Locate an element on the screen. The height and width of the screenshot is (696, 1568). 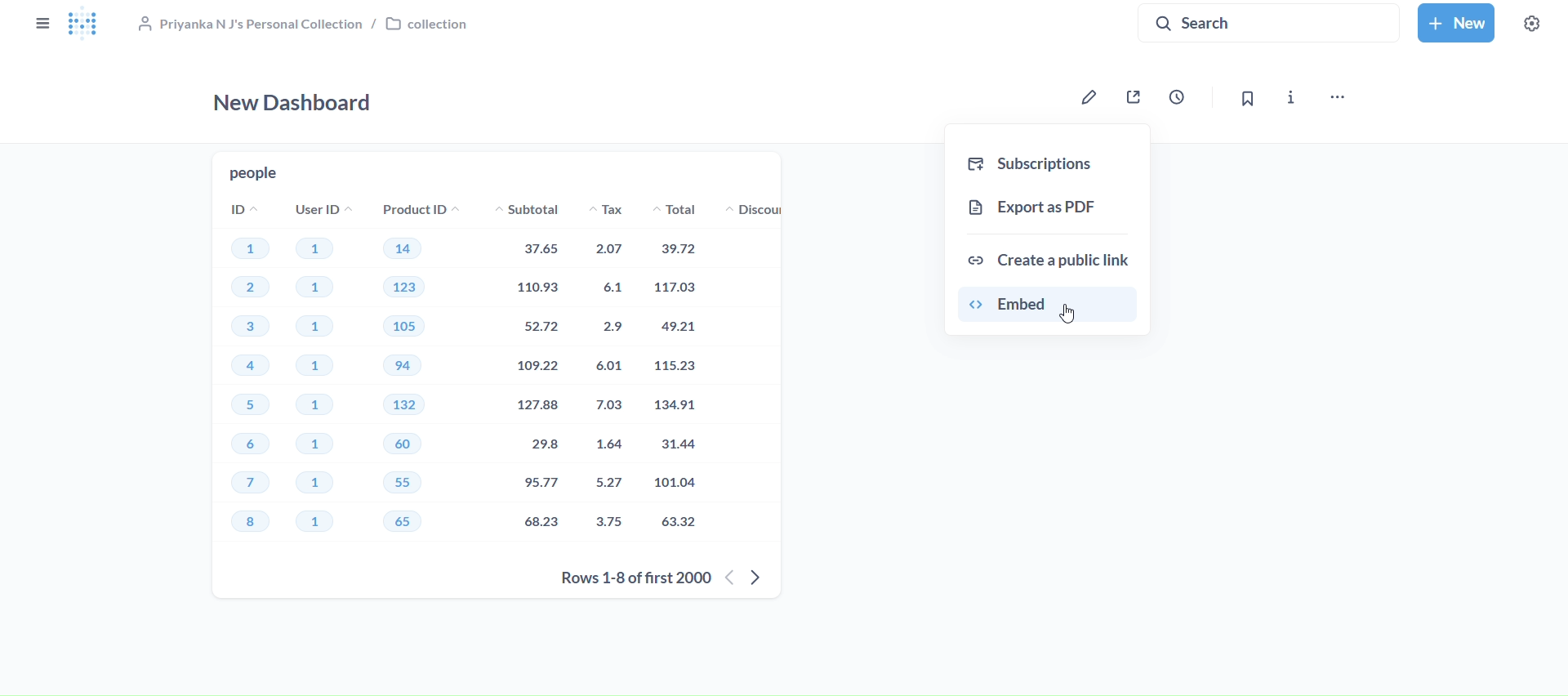
new is located at coordinates (1456, 21).